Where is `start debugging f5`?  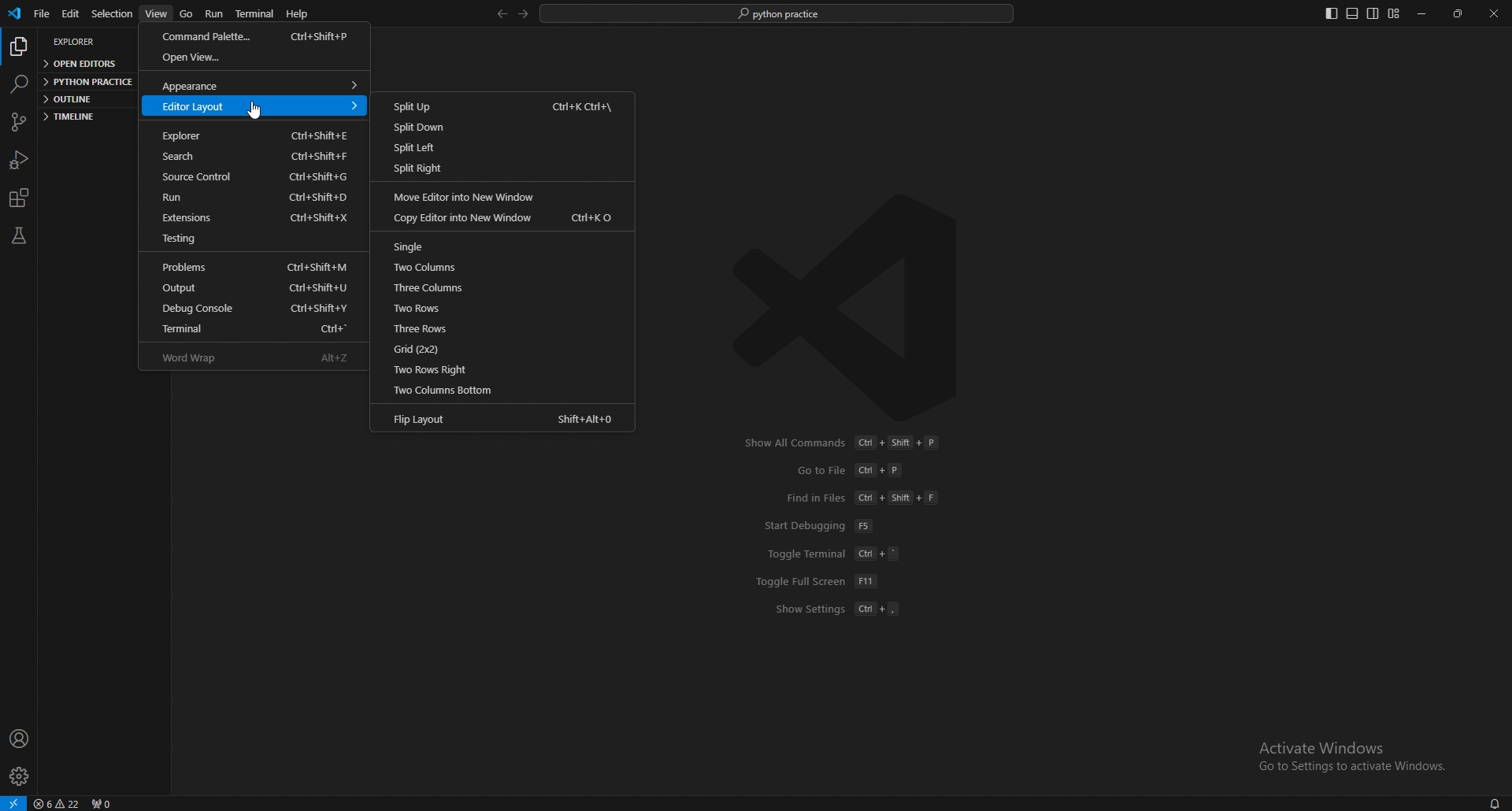 start debugging f5 is located at coordinates (822, 527).